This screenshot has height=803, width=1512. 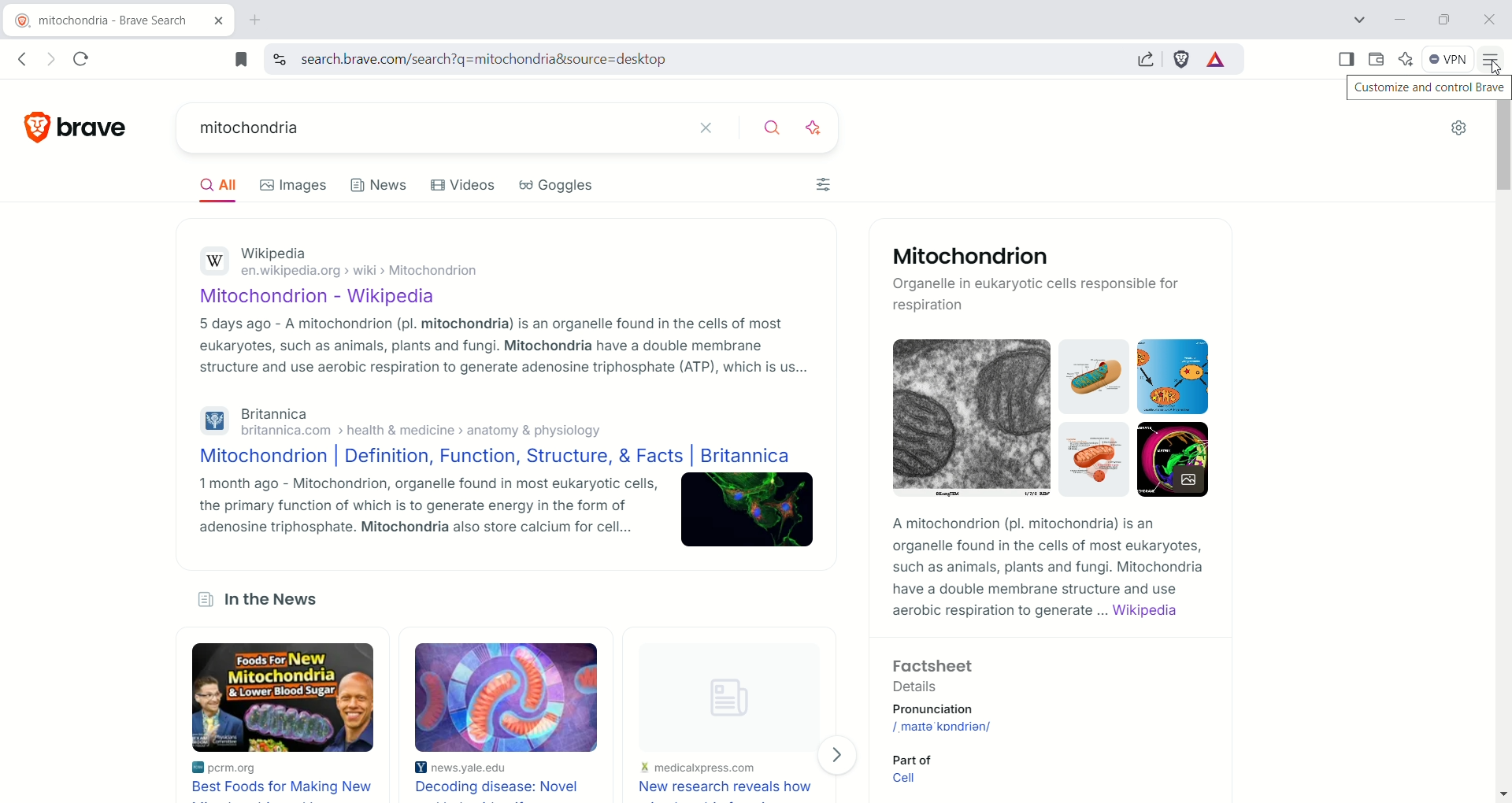 What do you see at coordinates (1068, 569) in the screenshot?
I see `A mitochondrion (pl. mitochondria) is anorganelle found in the cells of most eukaryotes,such as animals, plants and fungi. Mitochondriahave a double membrane structure and useaerobic respiration to generate ... Wikipedia` at bounding box center [1068, 569].